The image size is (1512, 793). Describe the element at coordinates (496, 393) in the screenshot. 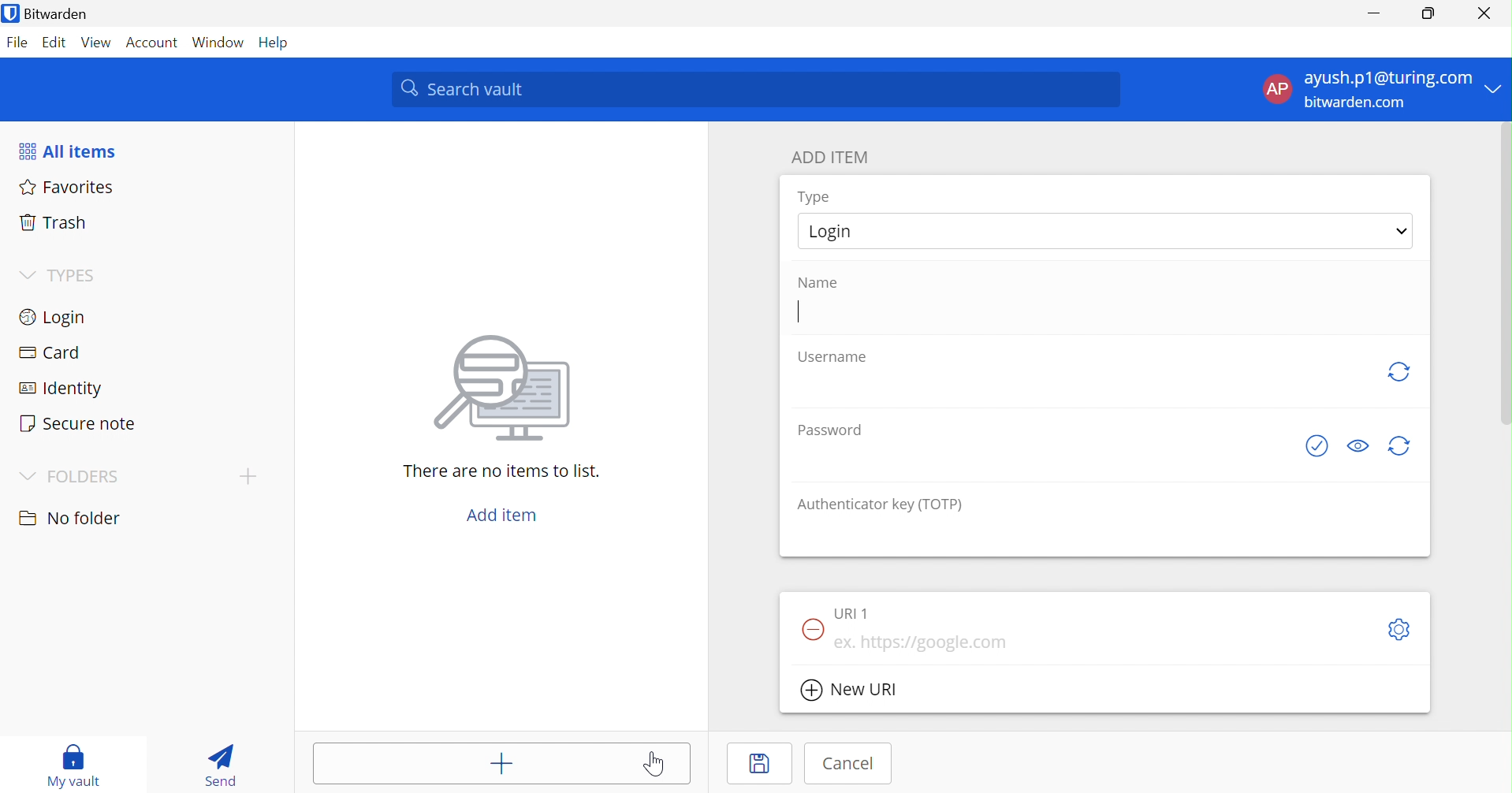

I see `image` at that location.